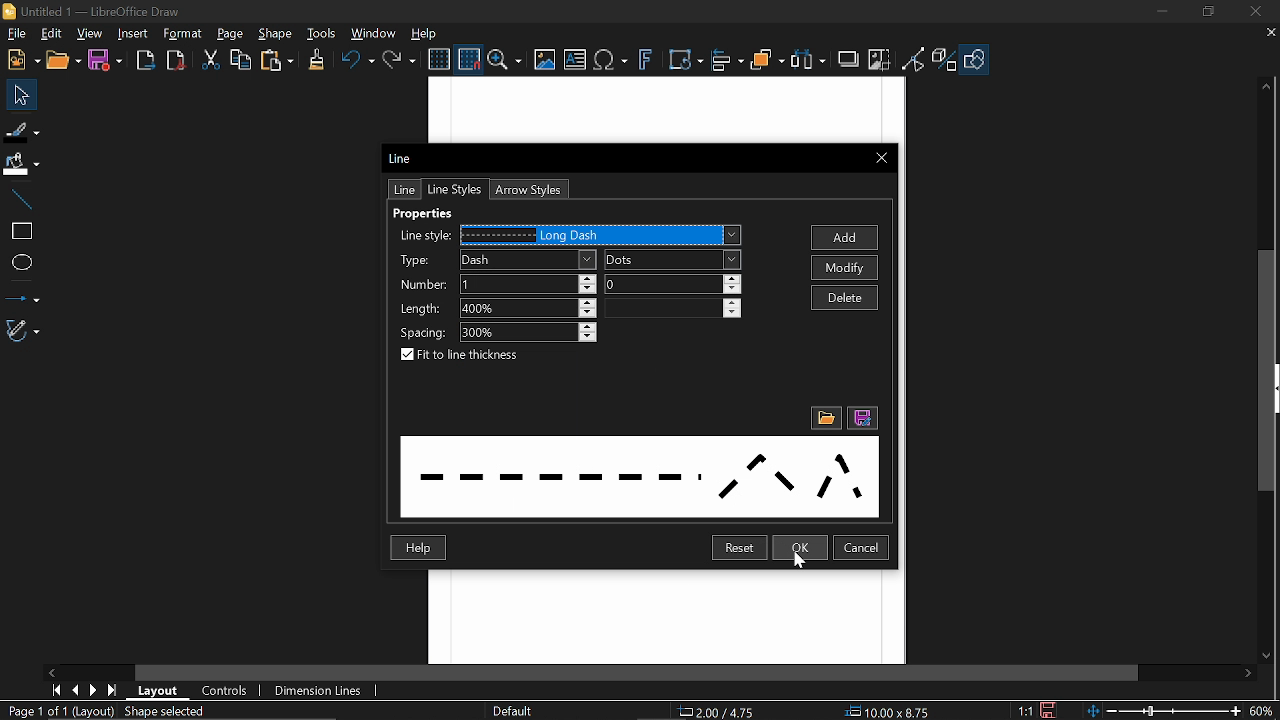 The height and width of the screenshot is (720, 1280). I want to click on First page, so click(57, 690).